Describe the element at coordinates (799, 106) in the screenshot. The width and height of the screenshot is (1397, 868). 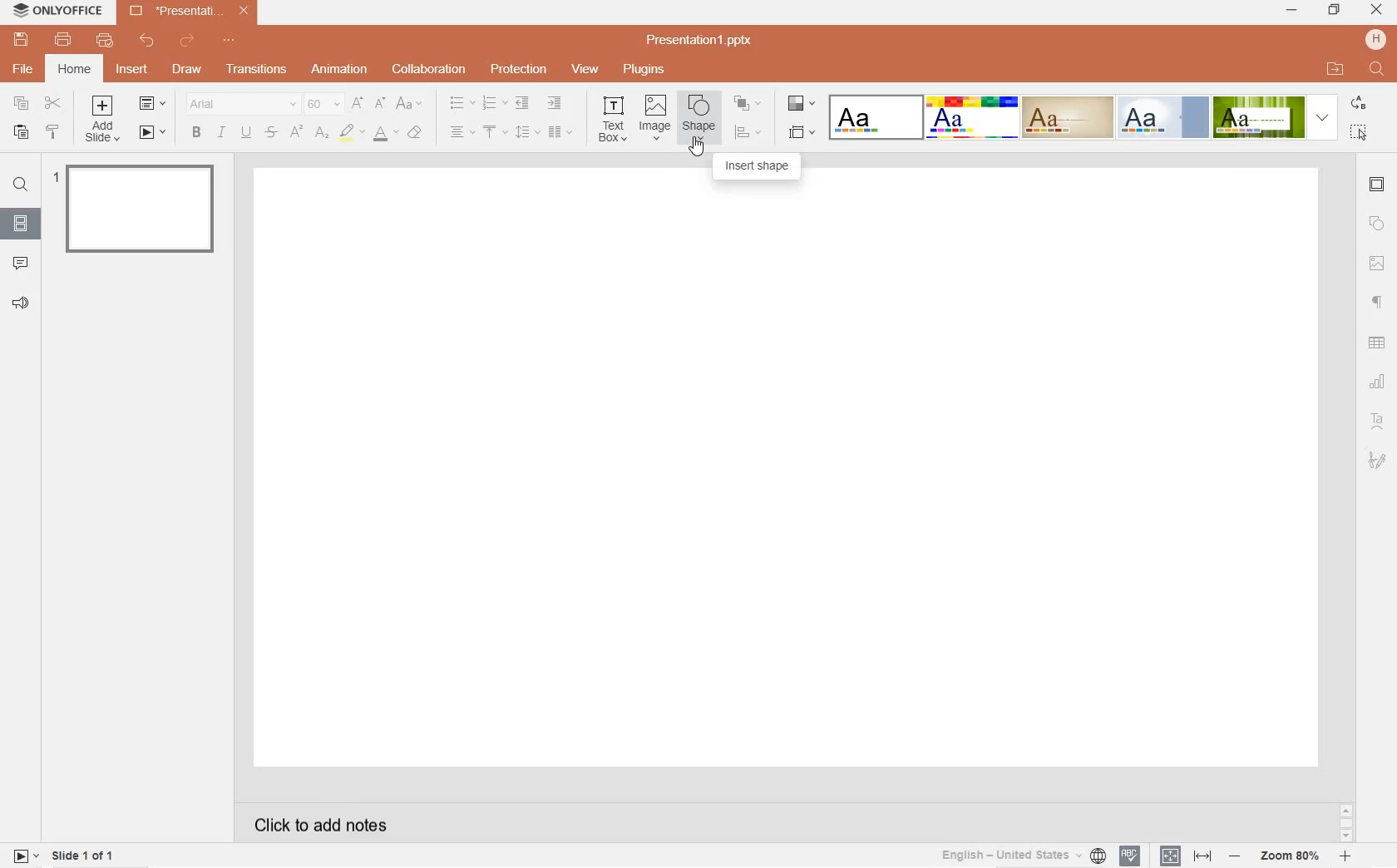
I see `change color theme` at that location.